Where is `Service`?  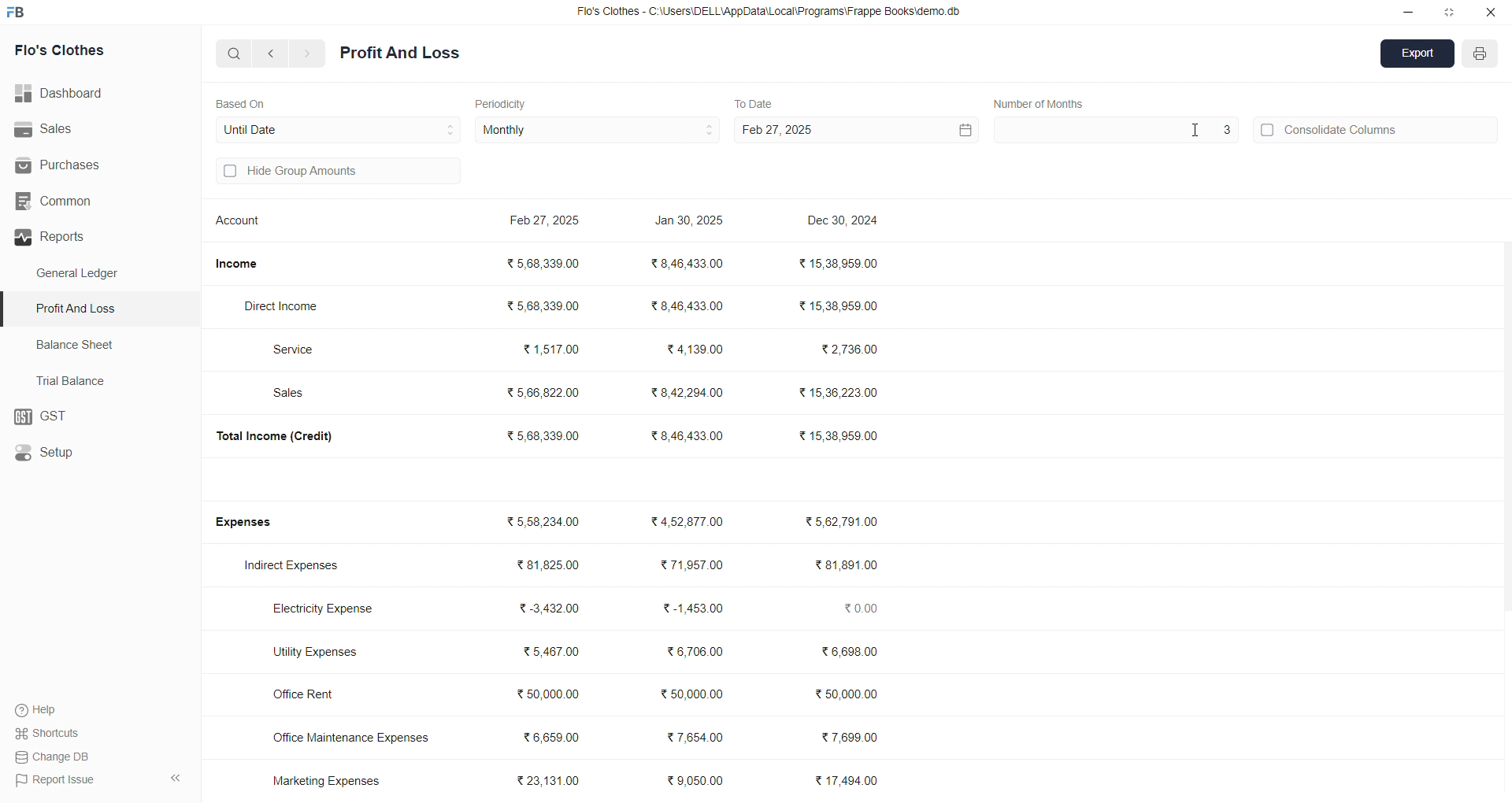
Service is located at coordinates (302, 349).